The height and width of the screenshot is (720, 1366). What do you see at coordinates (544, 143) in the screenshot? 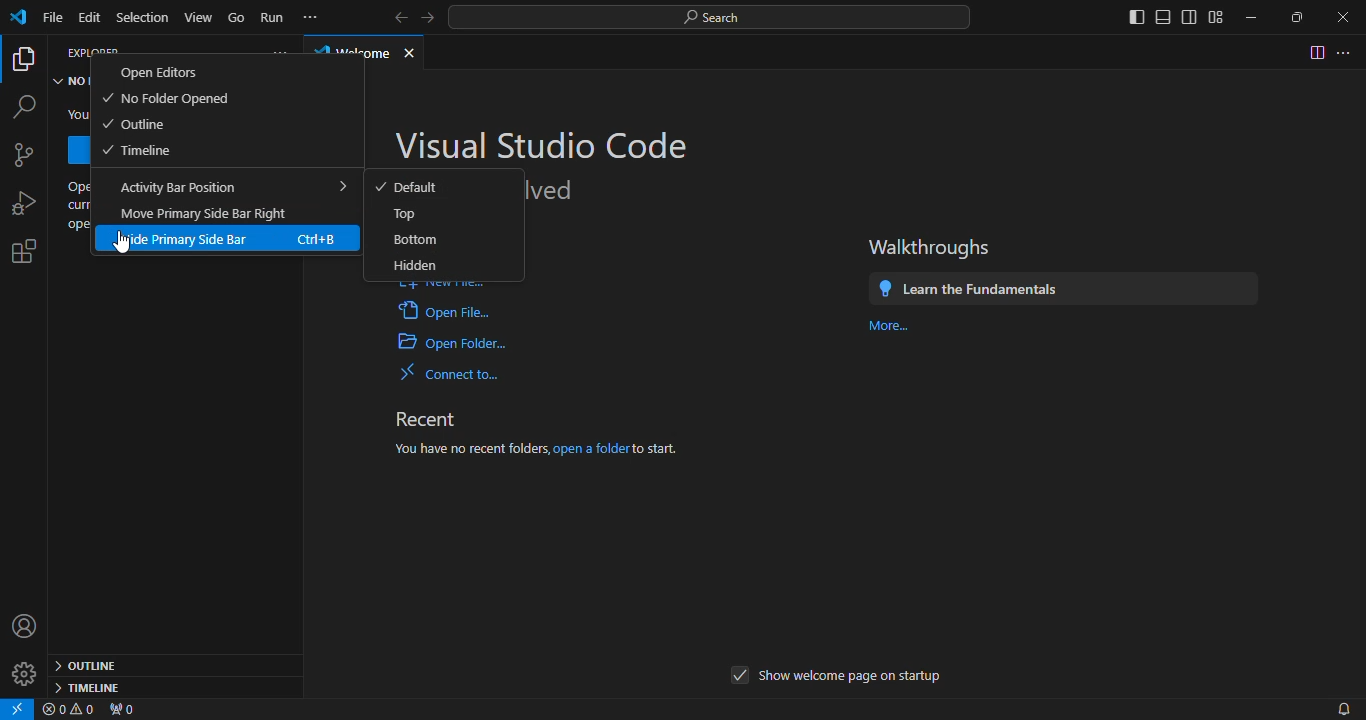
I see `visual studio code` at bounding box center [544, 143].